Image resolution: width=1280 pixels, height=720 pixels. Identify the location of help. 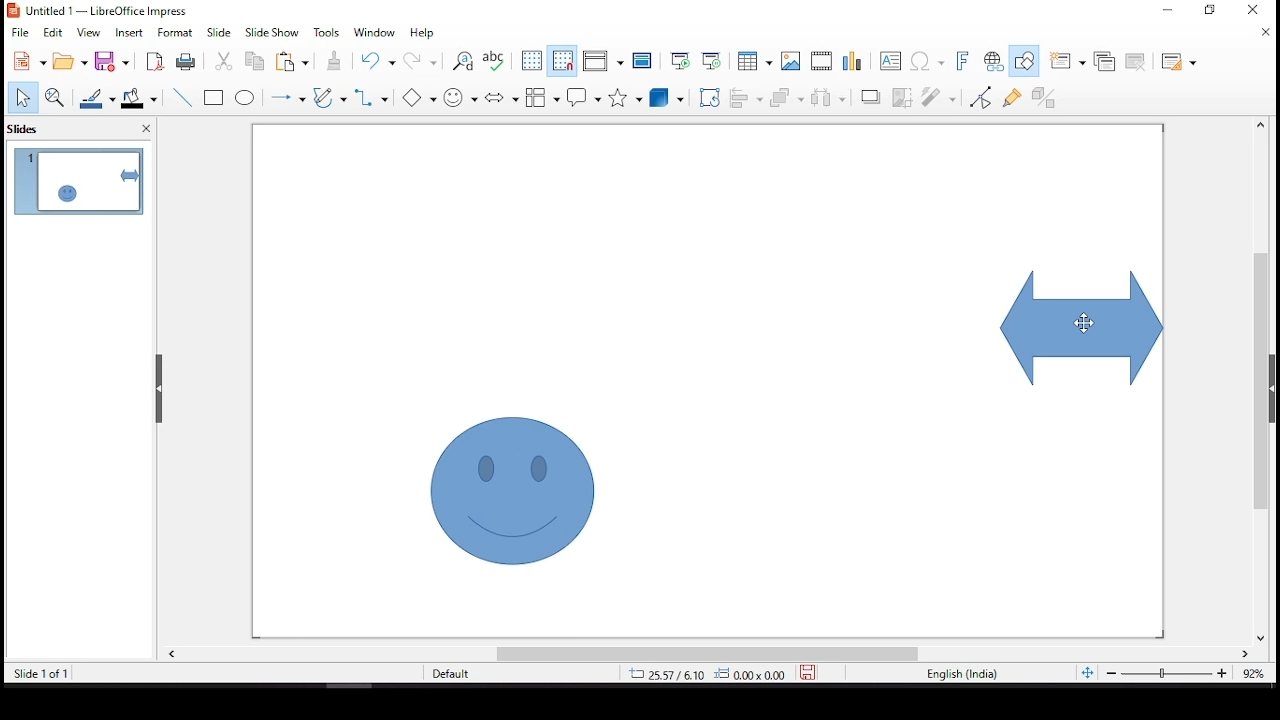
(423, 34).